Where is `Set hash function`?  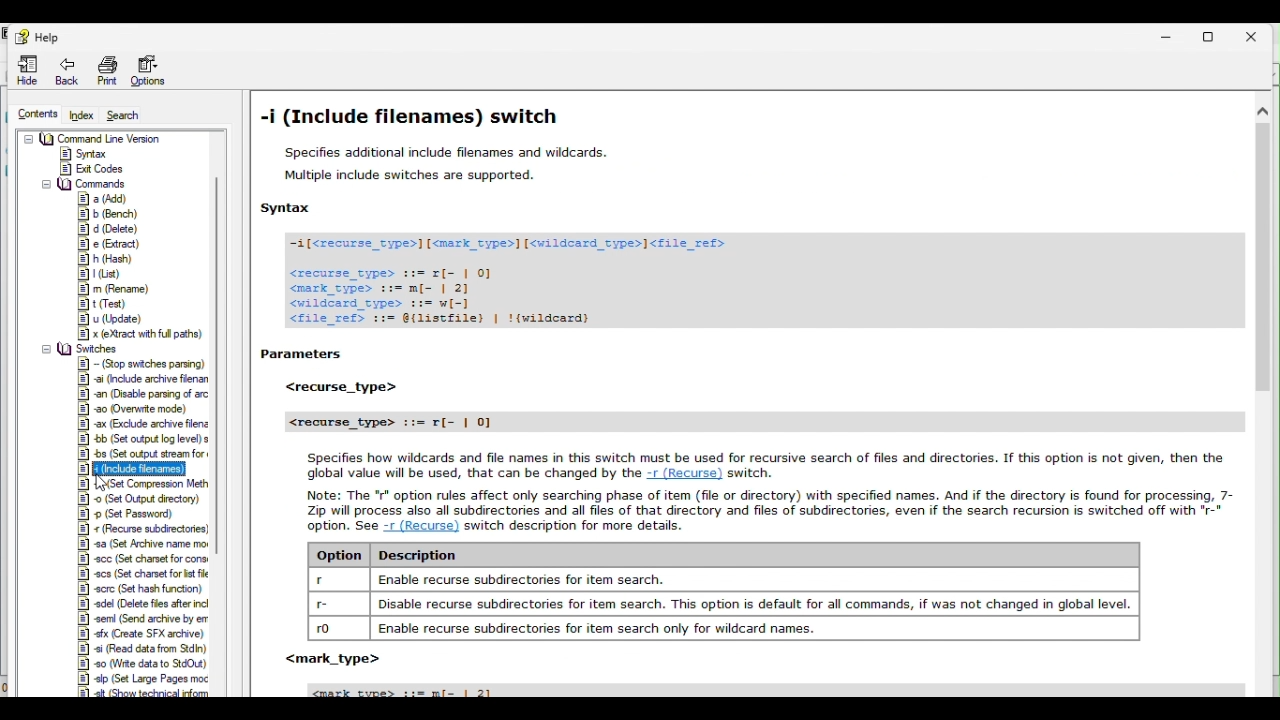 Set hash function is located at coordinates (142, 590).